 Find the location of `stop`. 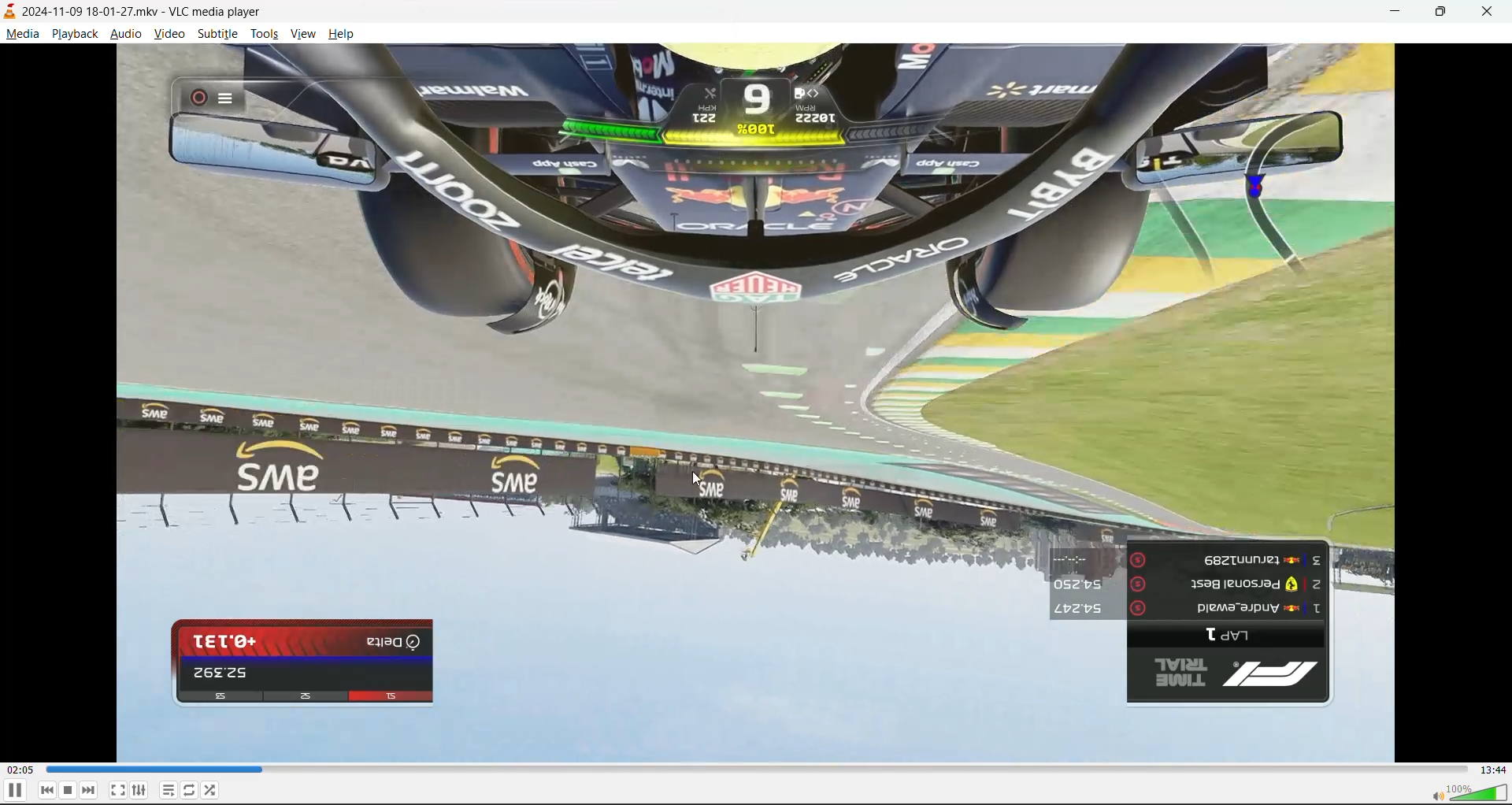

stop is located at coordinates (69, 790).